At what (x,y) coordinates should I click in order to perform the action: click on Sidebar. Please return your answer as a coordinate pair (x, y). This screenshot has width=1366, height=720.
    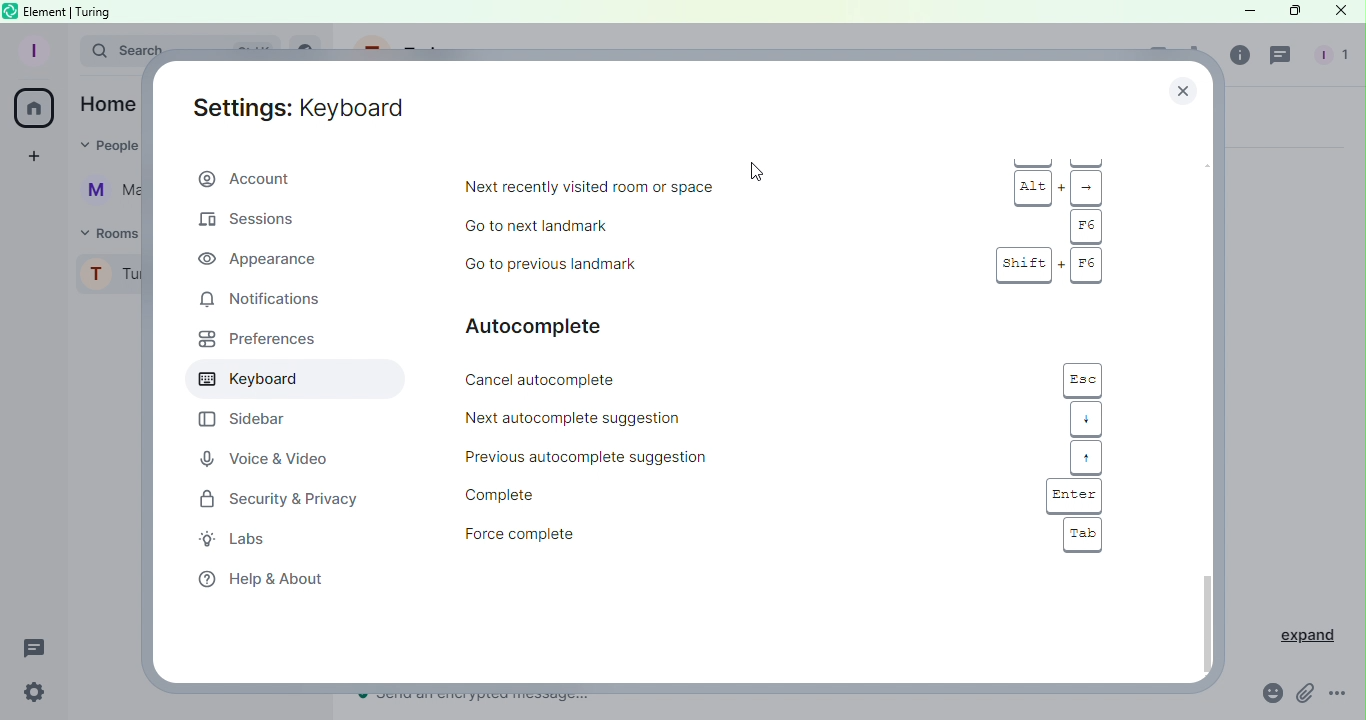
    Looking at the image, I should click on (239, 420).